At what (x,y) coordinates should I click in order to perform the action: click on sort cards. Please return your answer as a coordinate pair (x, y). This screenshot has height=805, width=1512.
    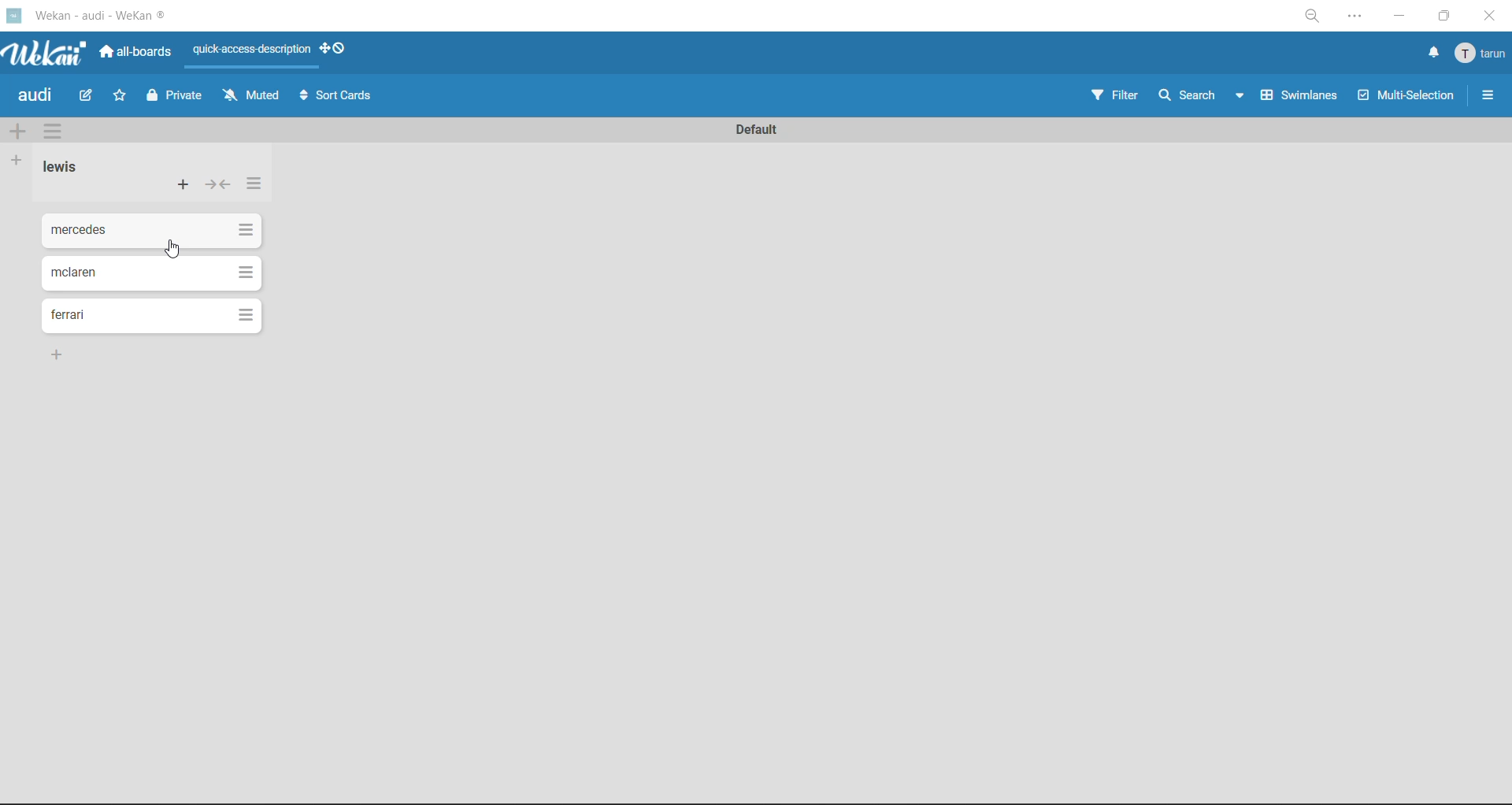
    Looking at the image, I should click on (339, 98).